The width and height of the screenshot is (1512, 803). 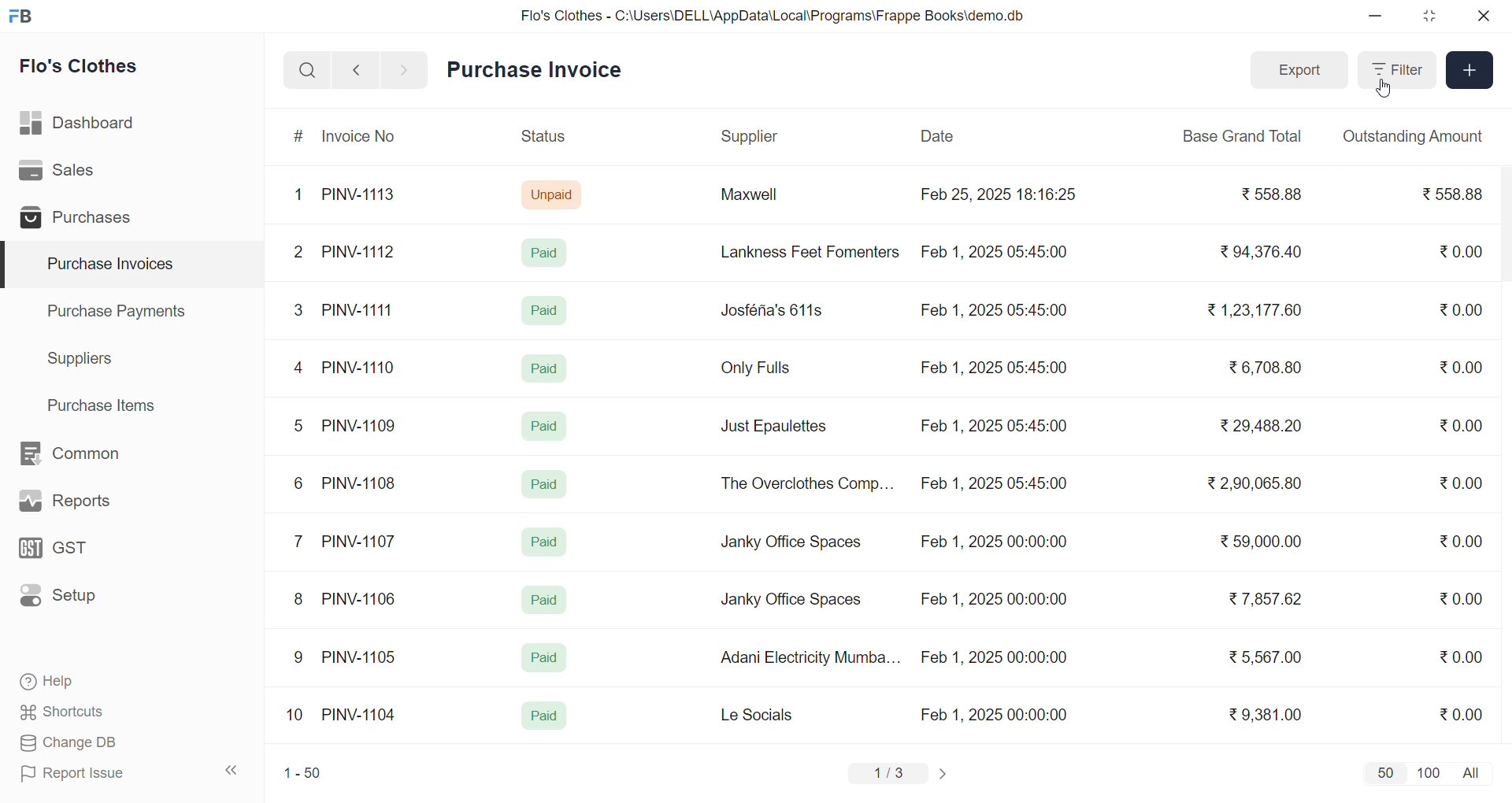 What do you see at coordinates (545, 542) in the screenshot?
I see `Paid` at bounding box center [545, 542].